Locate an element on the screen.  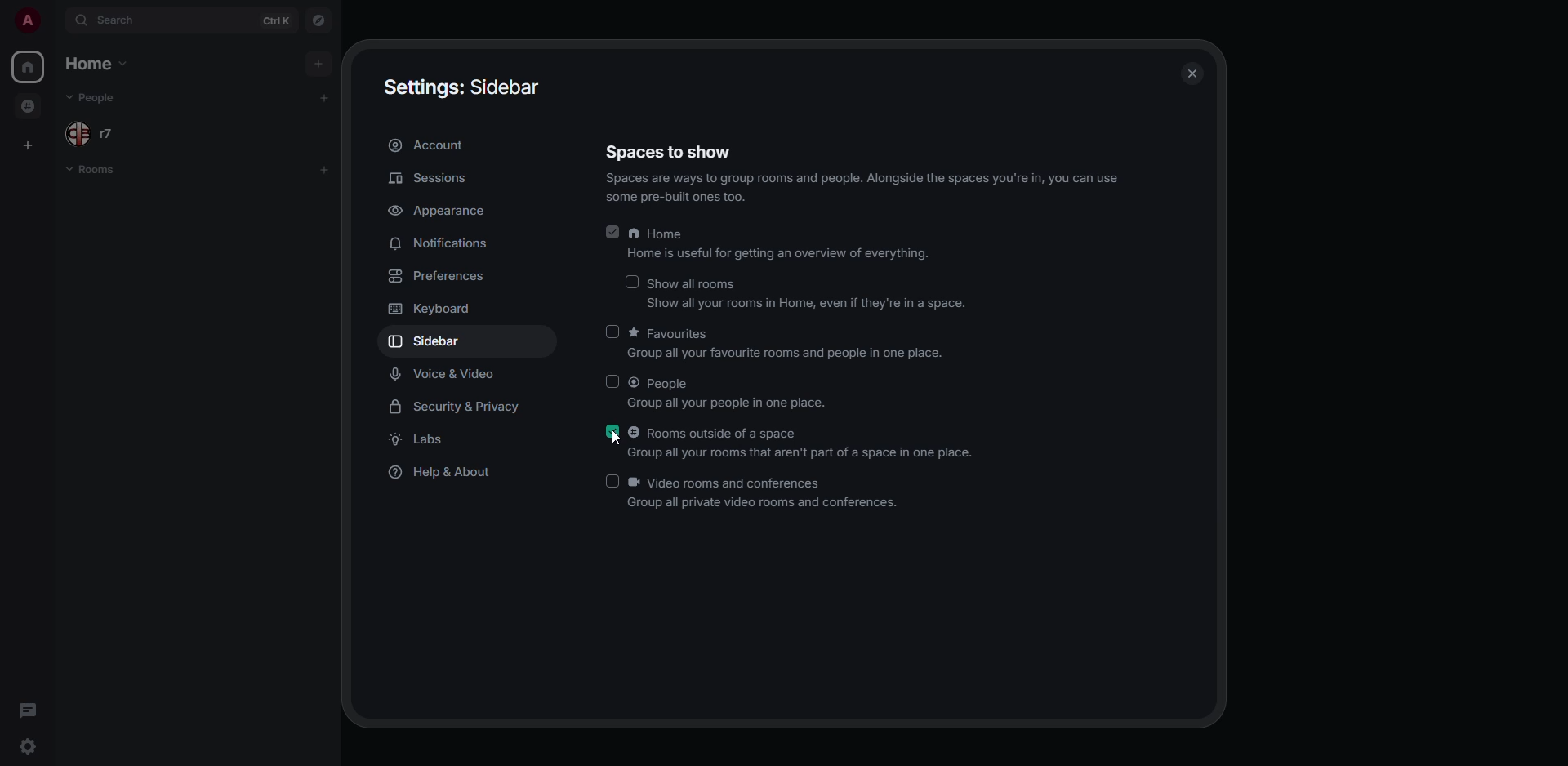
 Favourites Group all your favourite rooms and people in one place. is located at coordinates (787, 342).